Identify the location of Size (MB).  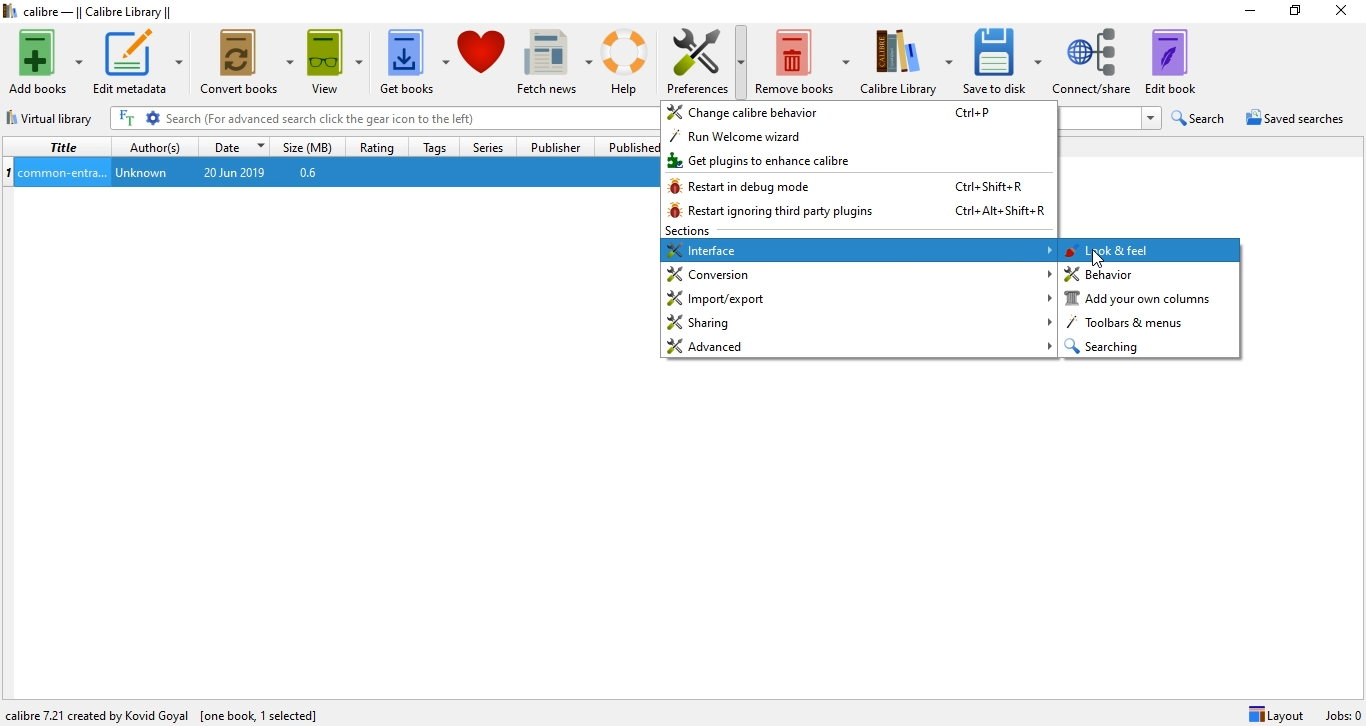
(311, 145).